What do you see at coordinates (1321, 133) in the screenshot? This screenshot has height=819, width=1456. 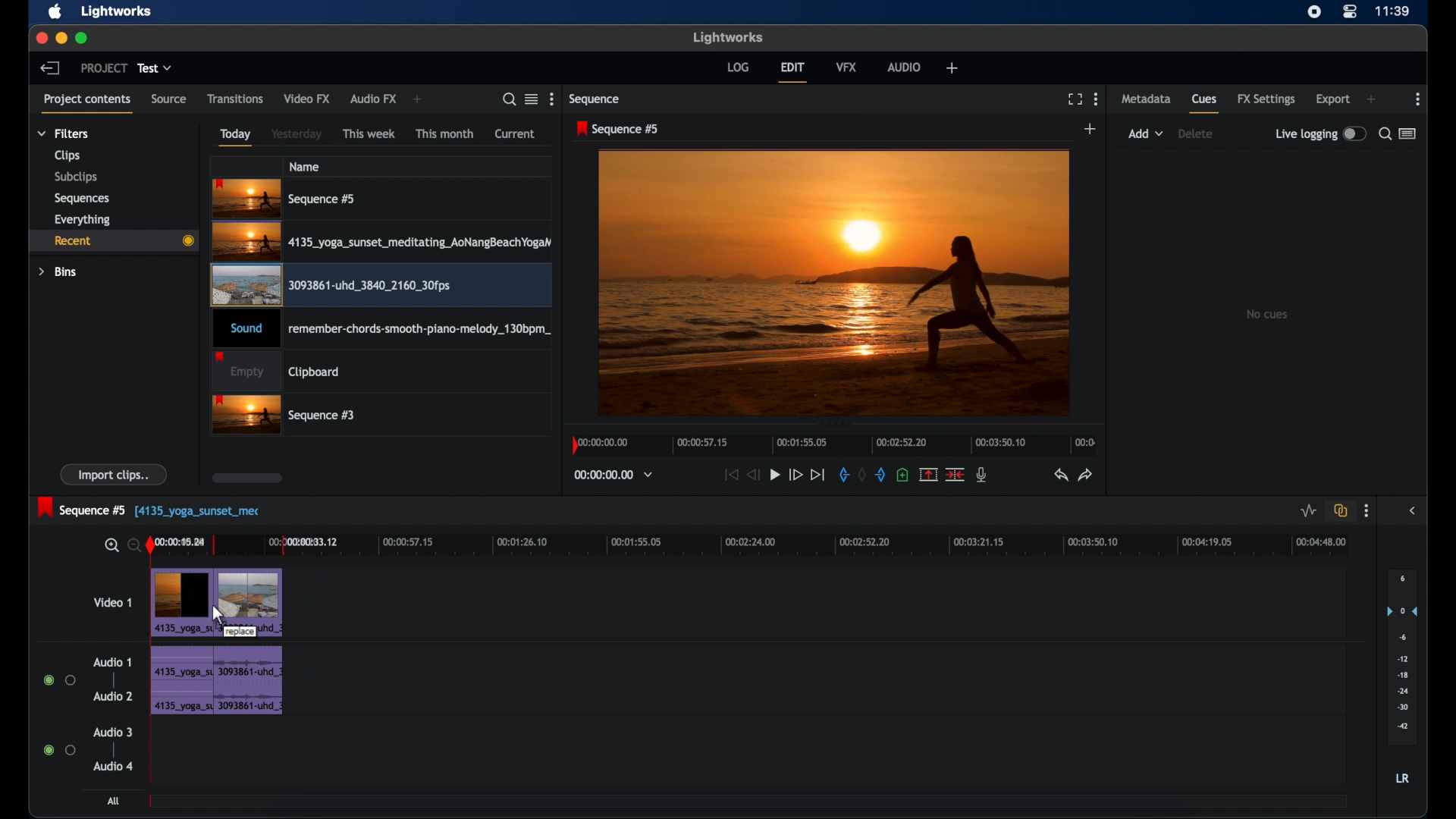 I see `live logging` at bounding box center [1321, 133].